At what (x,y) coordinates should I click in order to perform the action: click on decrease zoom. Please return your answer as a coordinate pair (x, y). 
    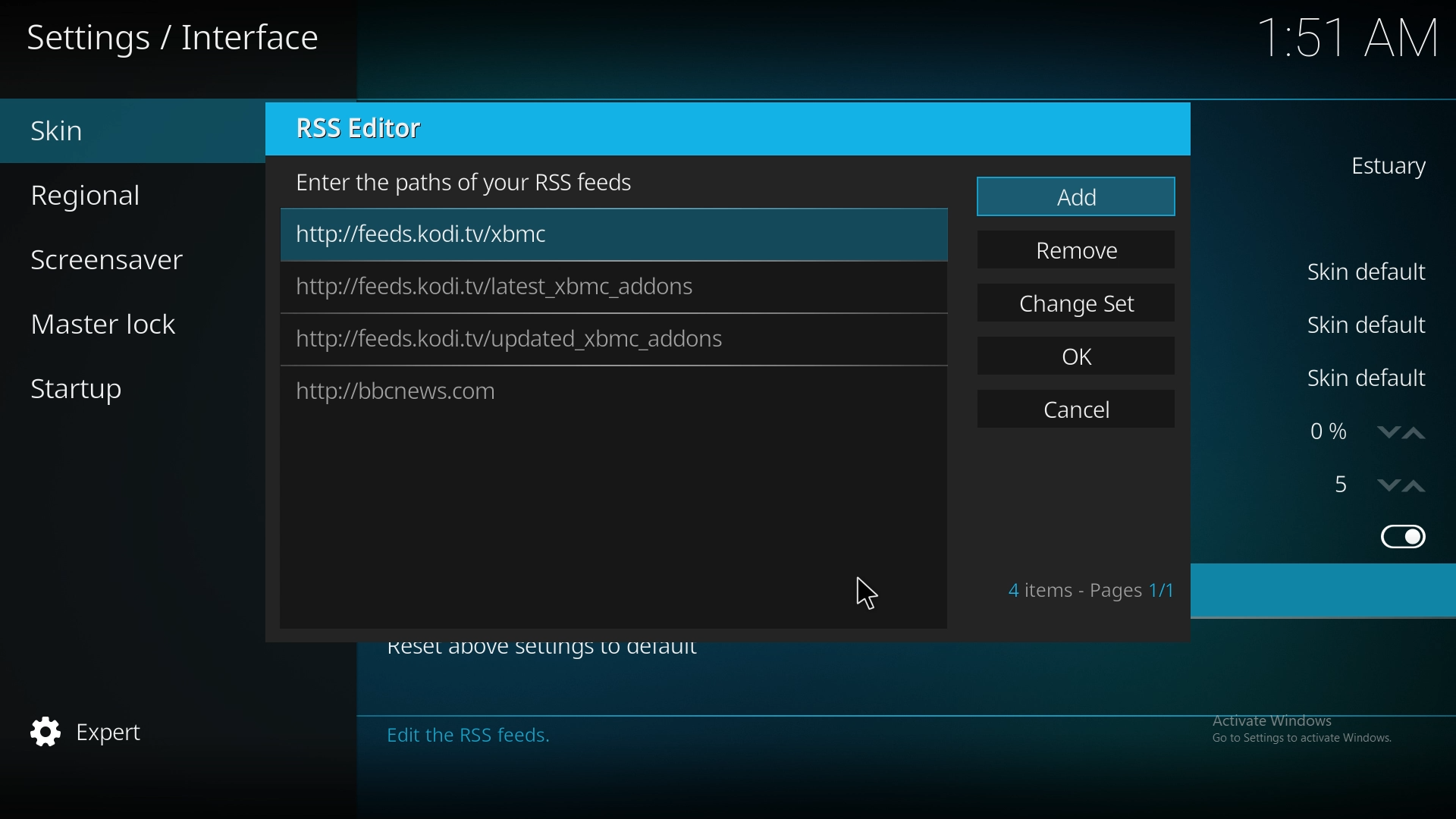
    Looking at the image, I should click on (1384, 485).